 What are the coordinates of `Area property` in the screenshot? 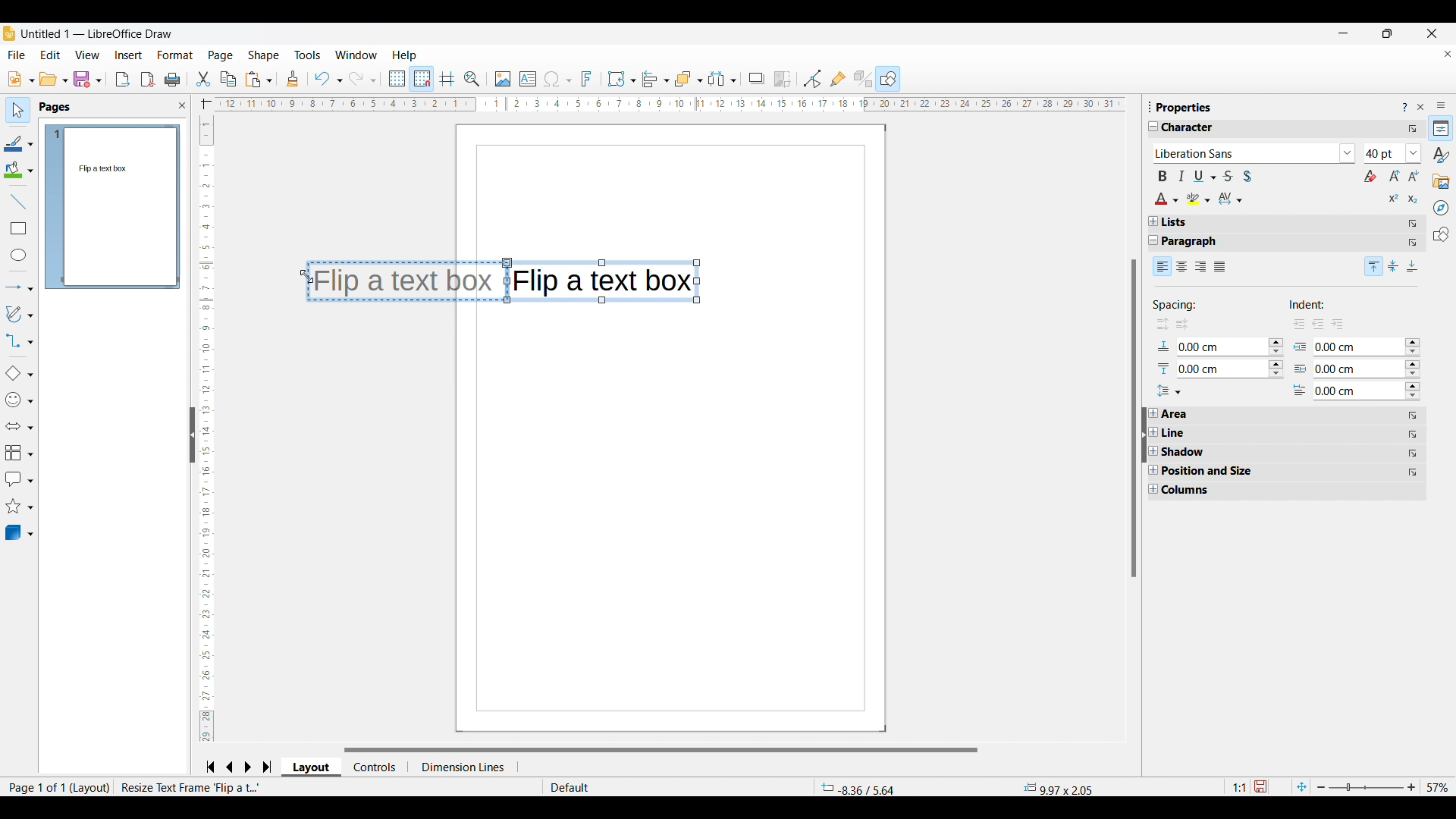 It's located at (1178, 414).